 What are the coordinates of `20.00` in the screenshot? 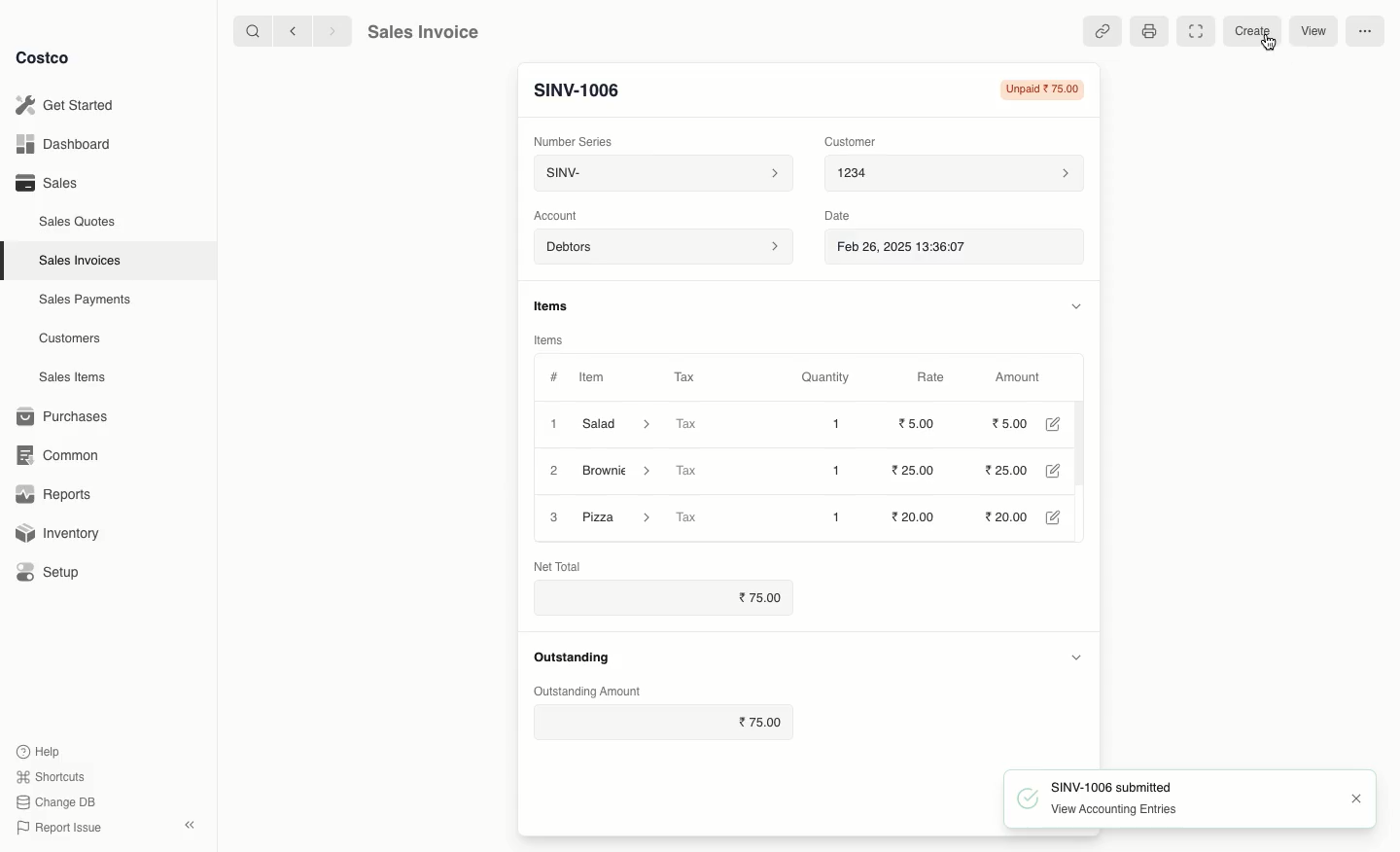 It's located at (911, 516).